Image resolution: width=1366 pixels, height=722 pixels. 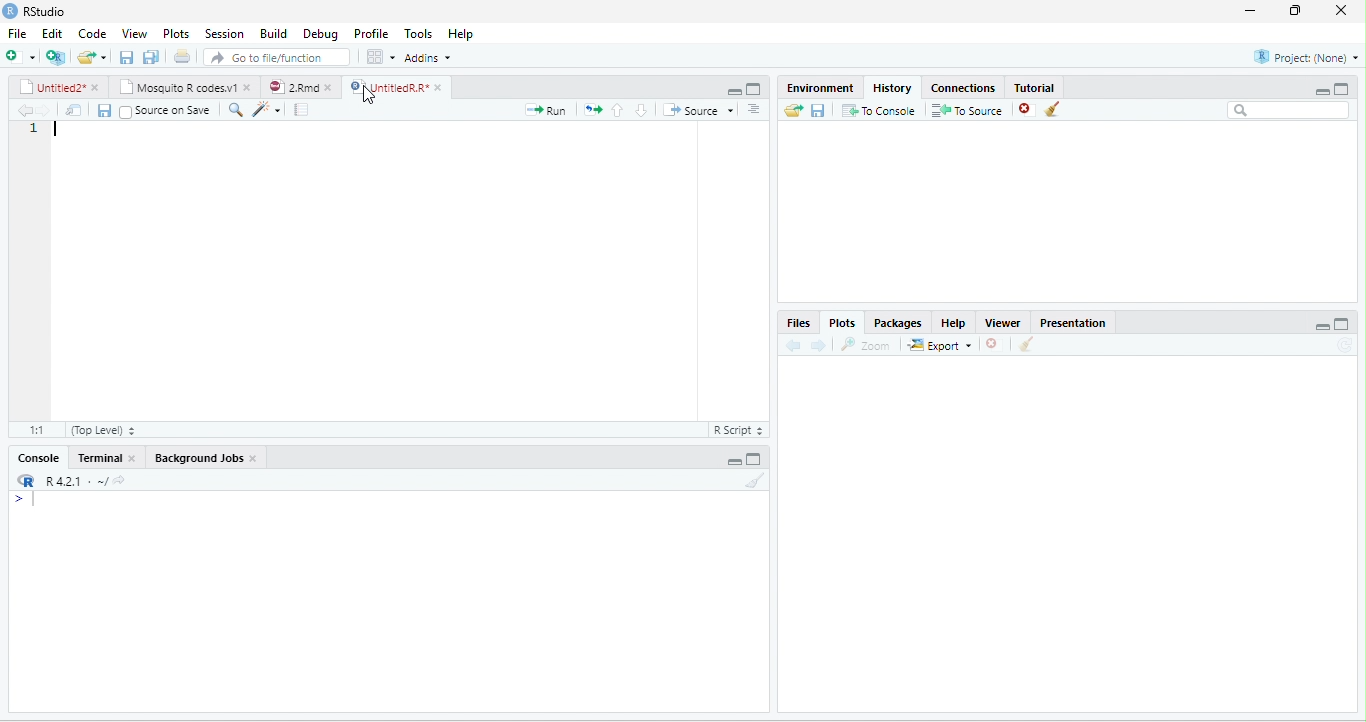 What do you see at coordinates (169, 109) in the screenshot?
I see `source on save` at bounding box center [169, 109].